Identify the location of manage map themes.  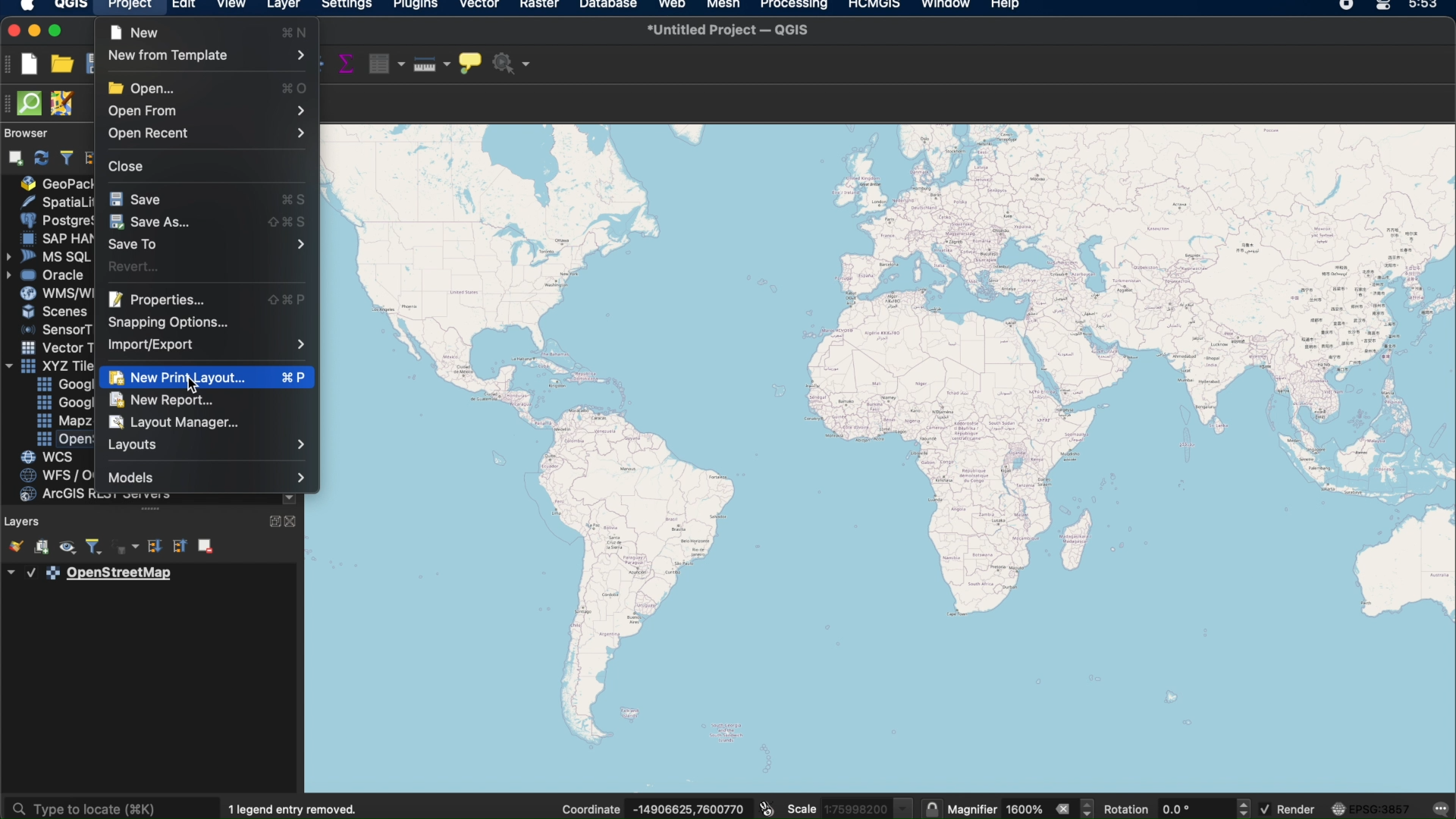
(69, 548).